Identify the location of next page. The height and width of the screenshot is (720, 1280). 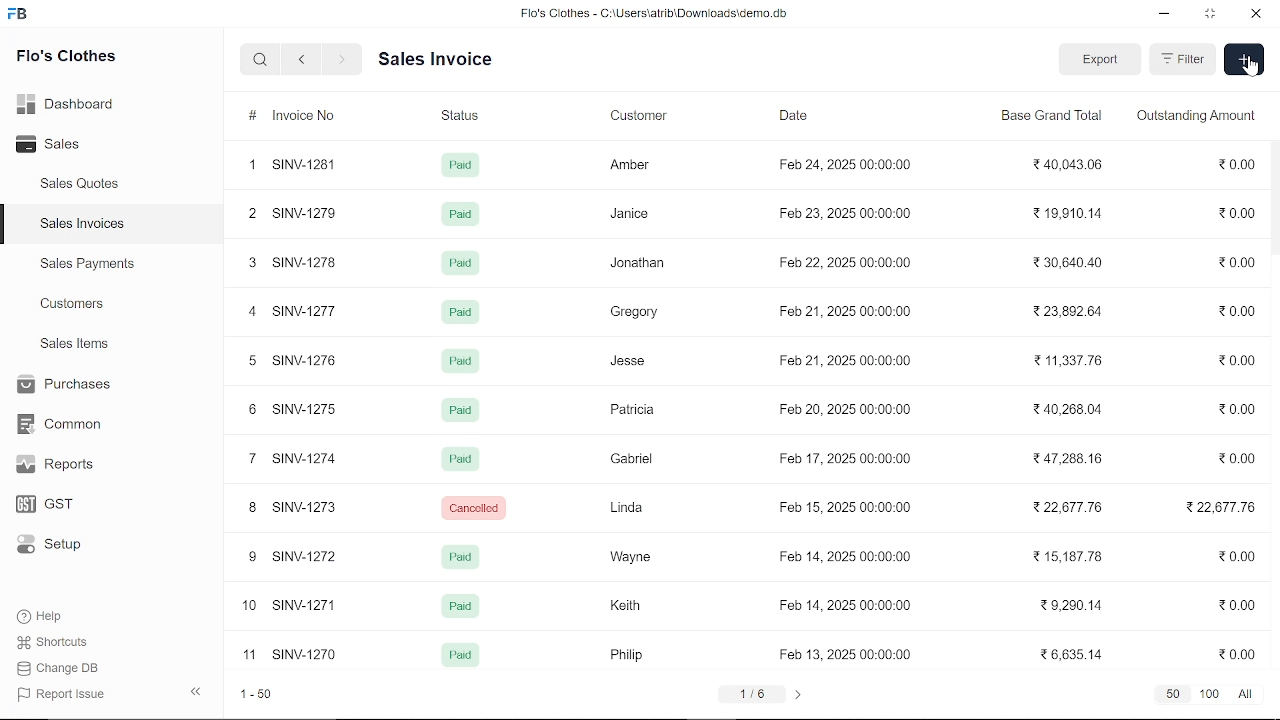
(799, 694).